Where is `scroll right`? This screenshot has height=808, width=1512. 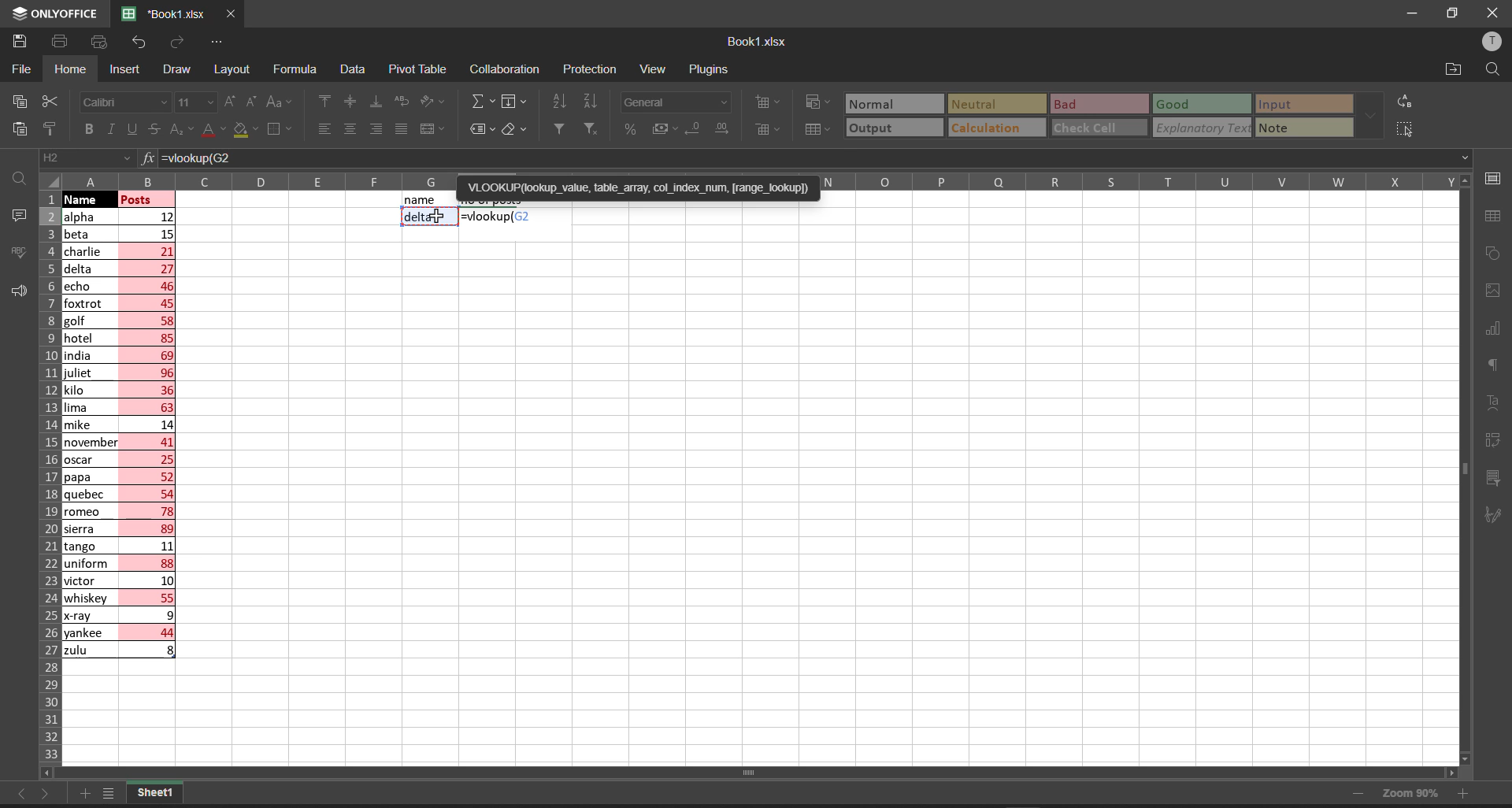 scroll right is located at coordinates (1447, 770).